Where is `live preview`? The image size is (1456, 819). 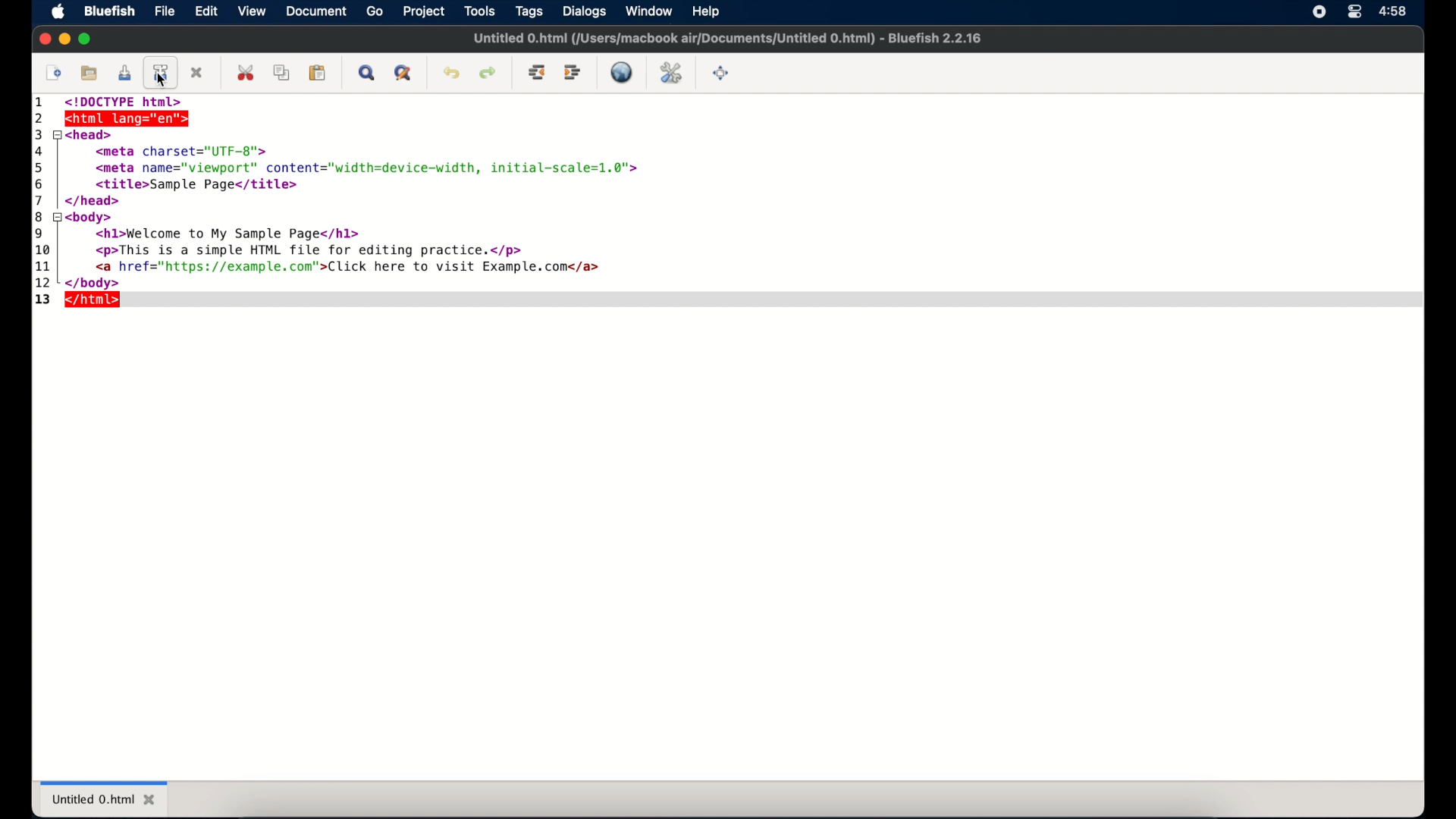 live preview is located at coordinates (621, 72).